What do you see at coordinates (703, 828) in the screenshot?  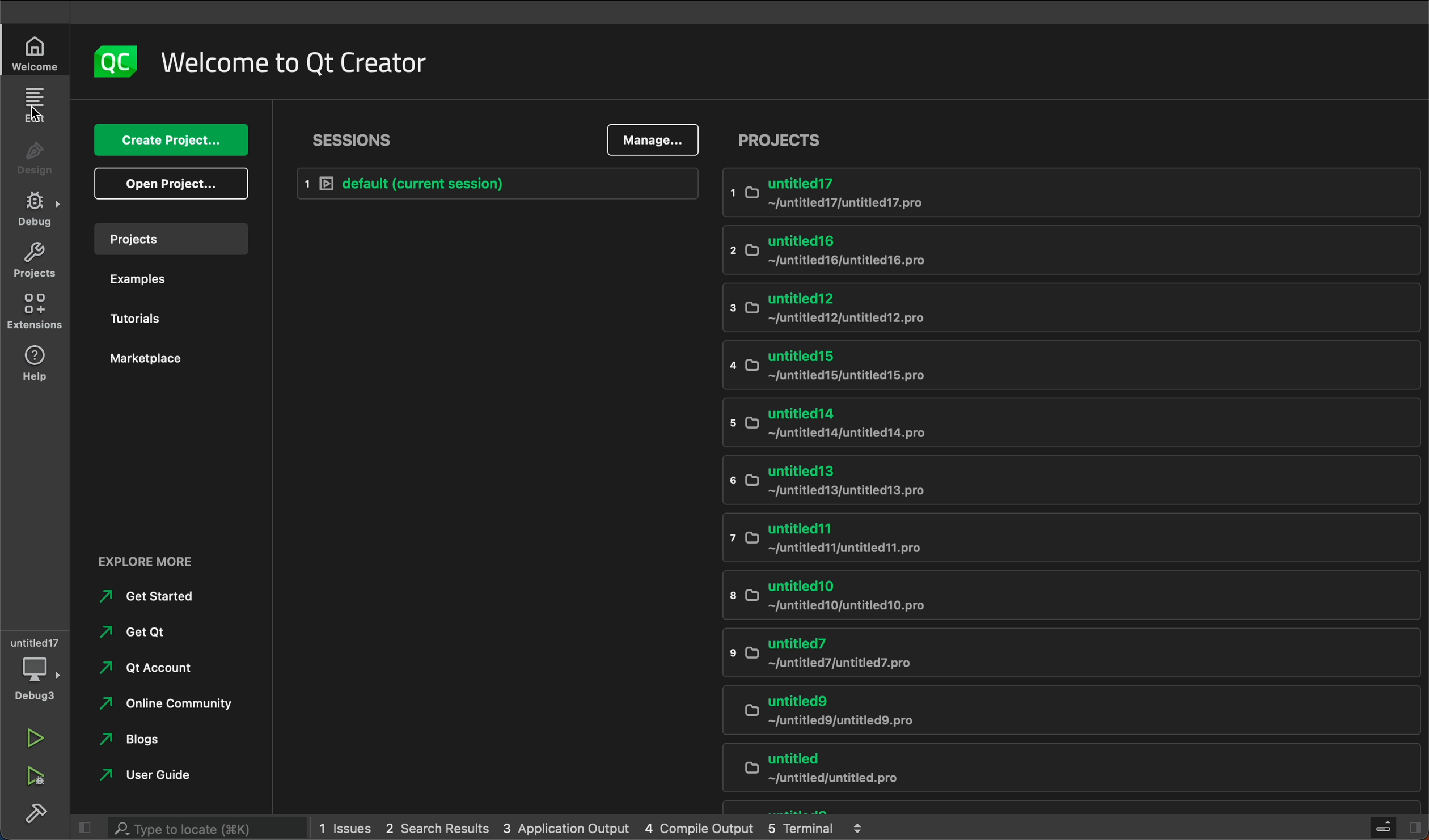 I see `4 compile output` at bounding box center [703, 828].